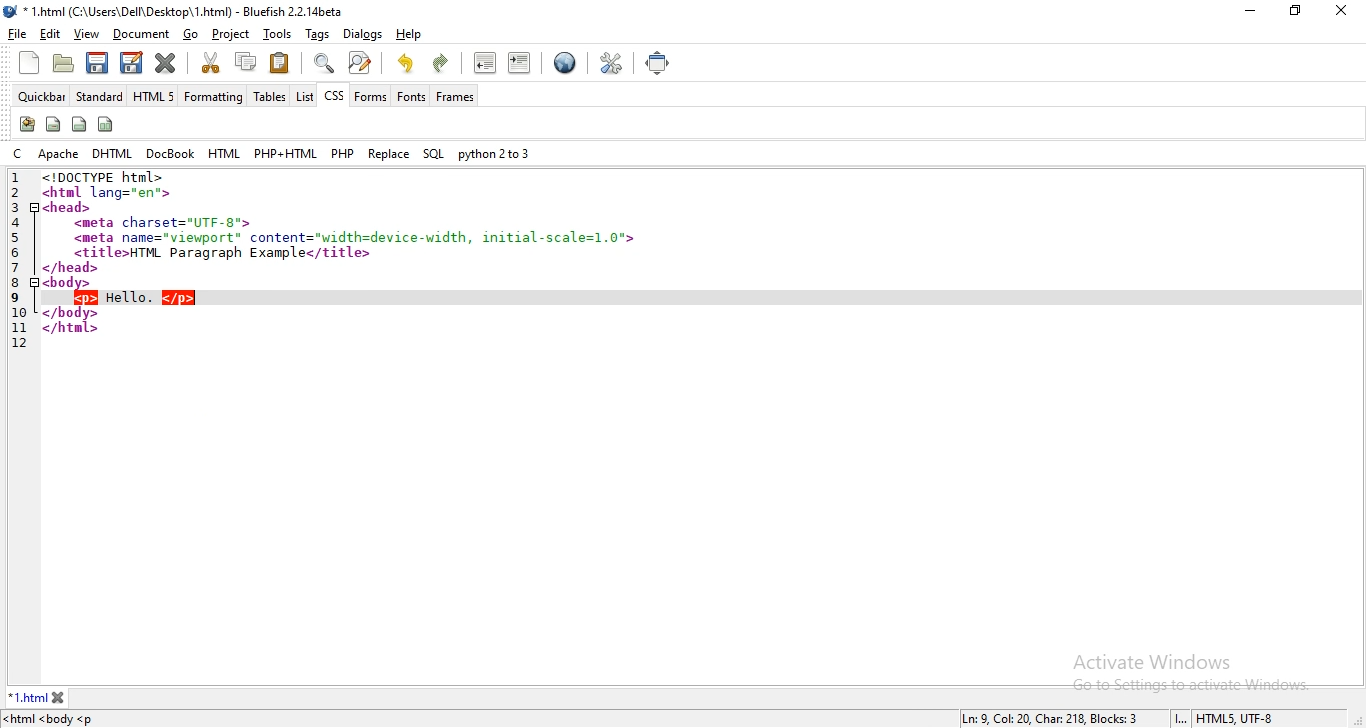  Describe the element at coordinates (322, 63) in the screenshot. I see `show find bar` at that location.